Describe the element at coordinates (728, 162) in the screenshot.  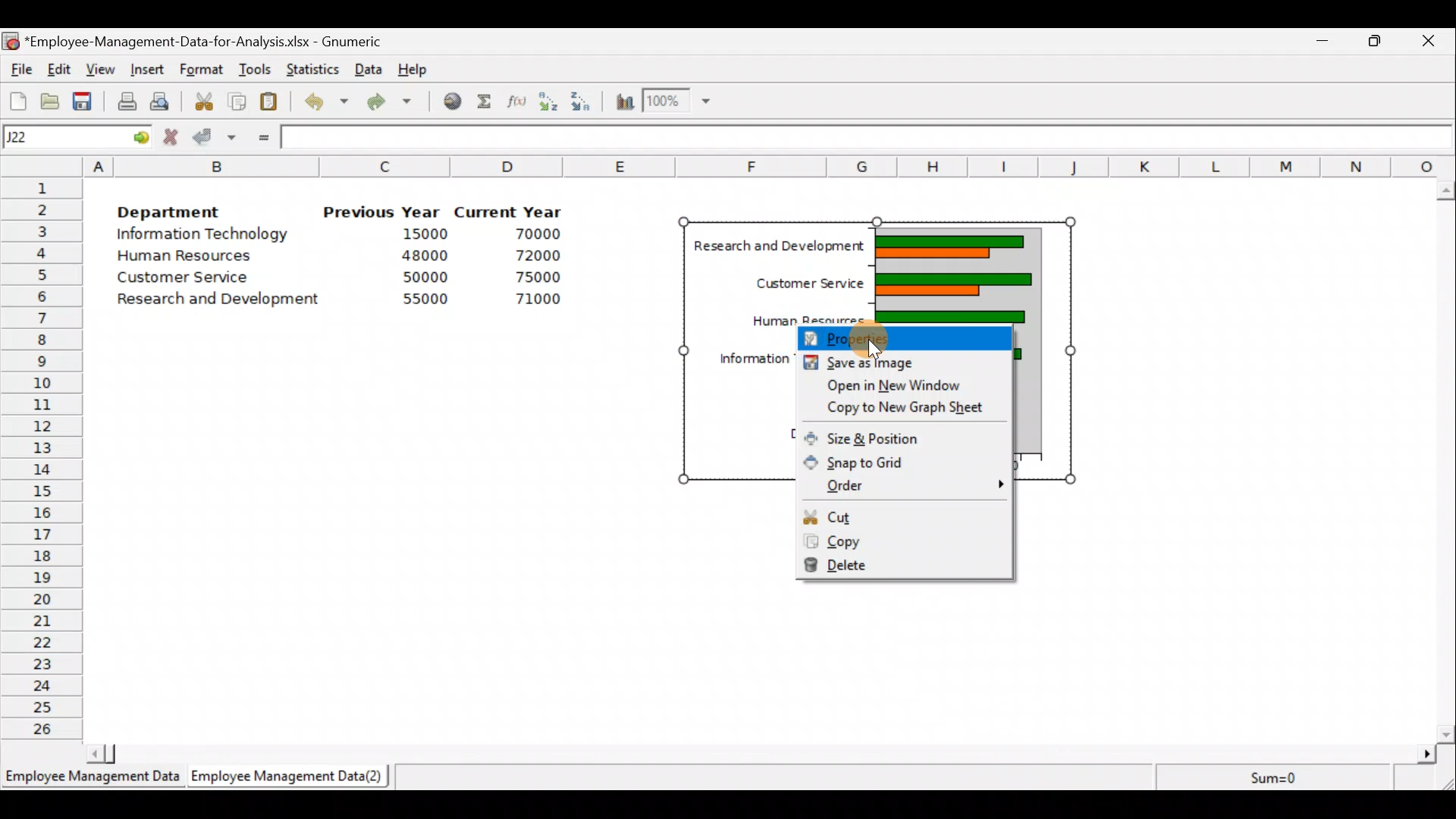
I see `Columns` at that location.